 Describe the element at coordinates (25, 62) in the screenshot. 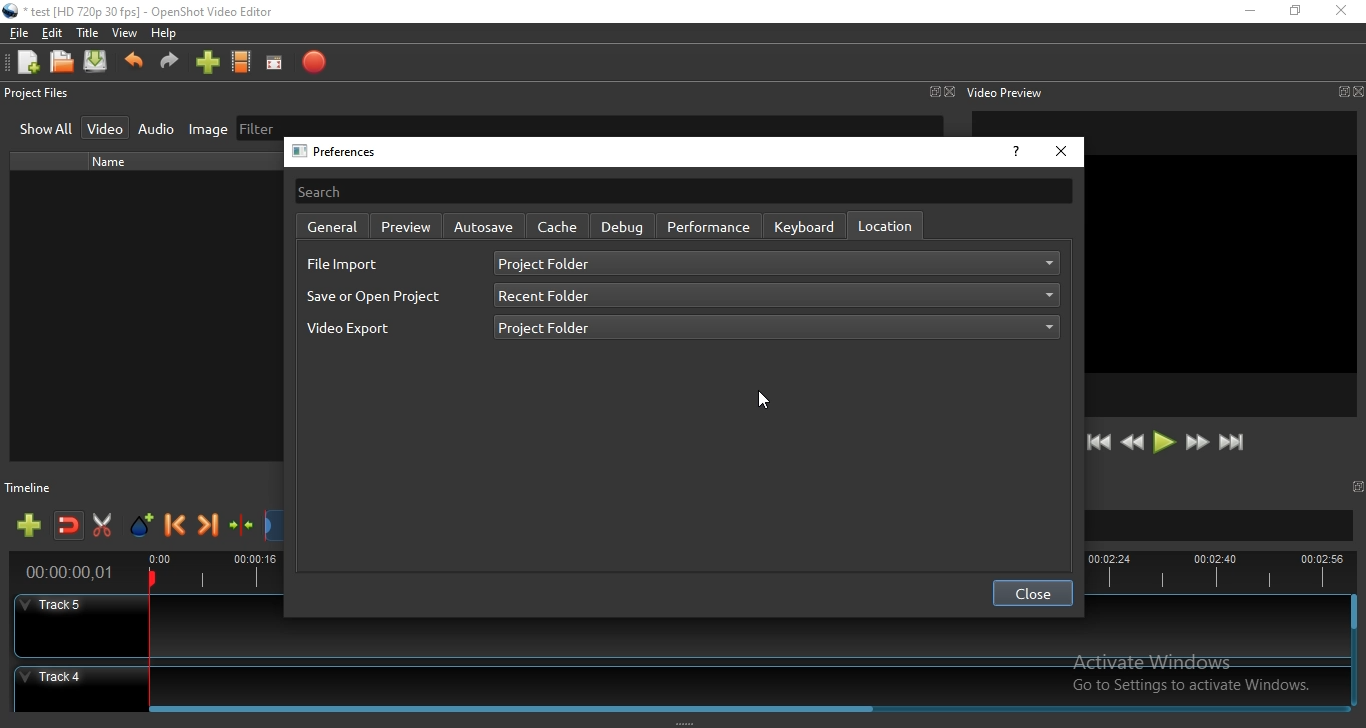

I see `New project` at that location.